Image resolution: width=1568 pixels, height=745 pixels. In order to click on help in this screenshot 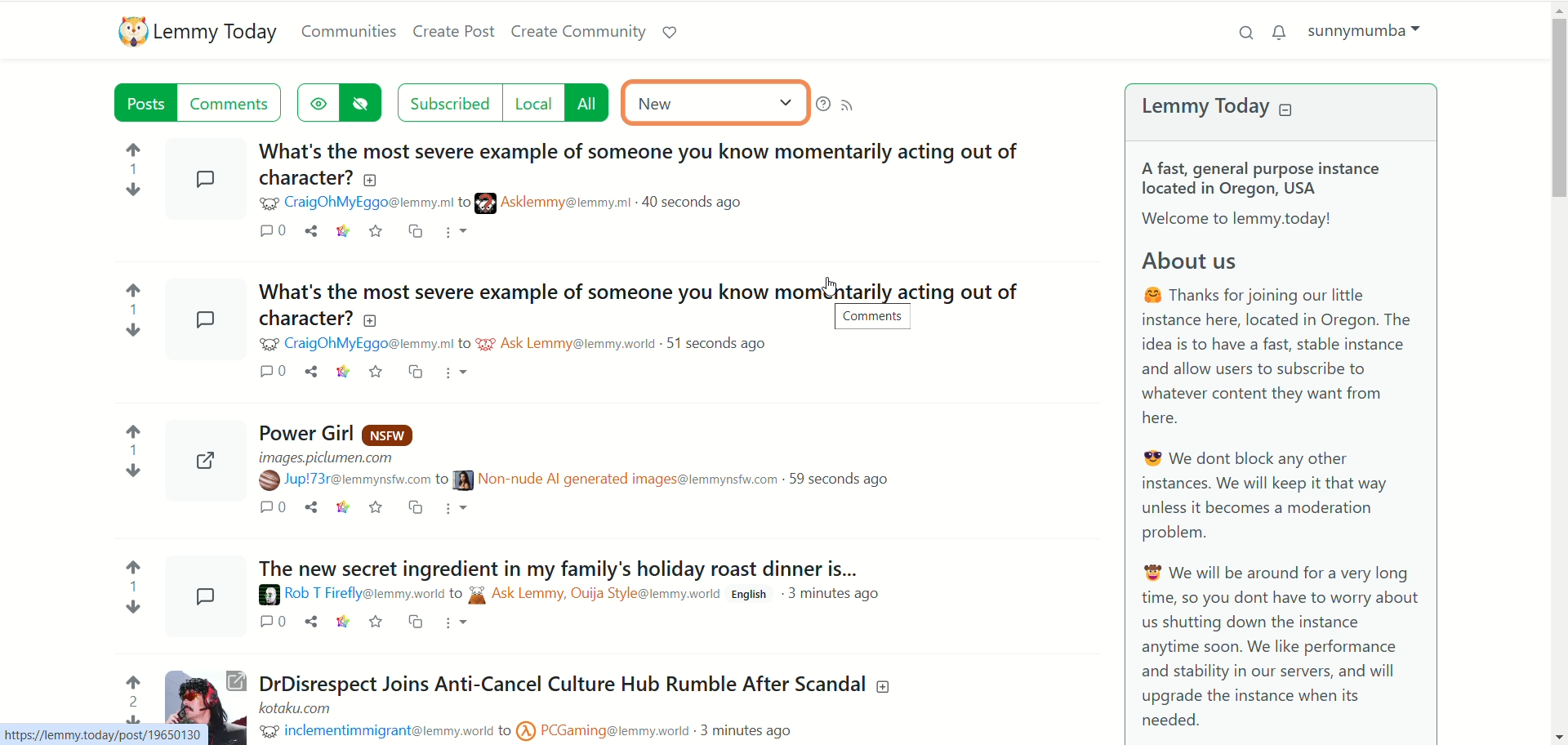, I will do `click(820, 104)`.